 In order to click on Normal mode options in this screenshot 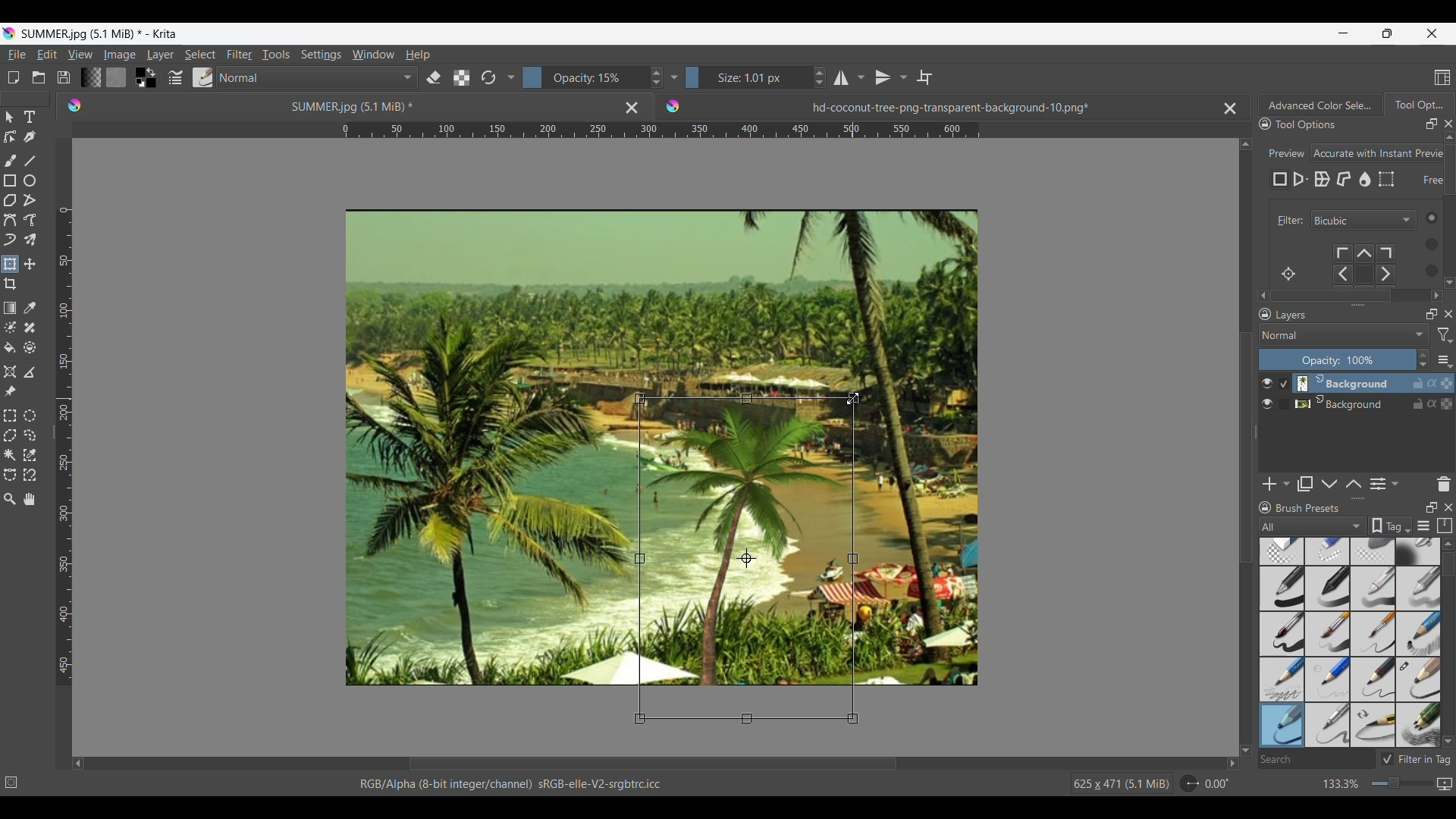, I will do `click(1344, 334)`.